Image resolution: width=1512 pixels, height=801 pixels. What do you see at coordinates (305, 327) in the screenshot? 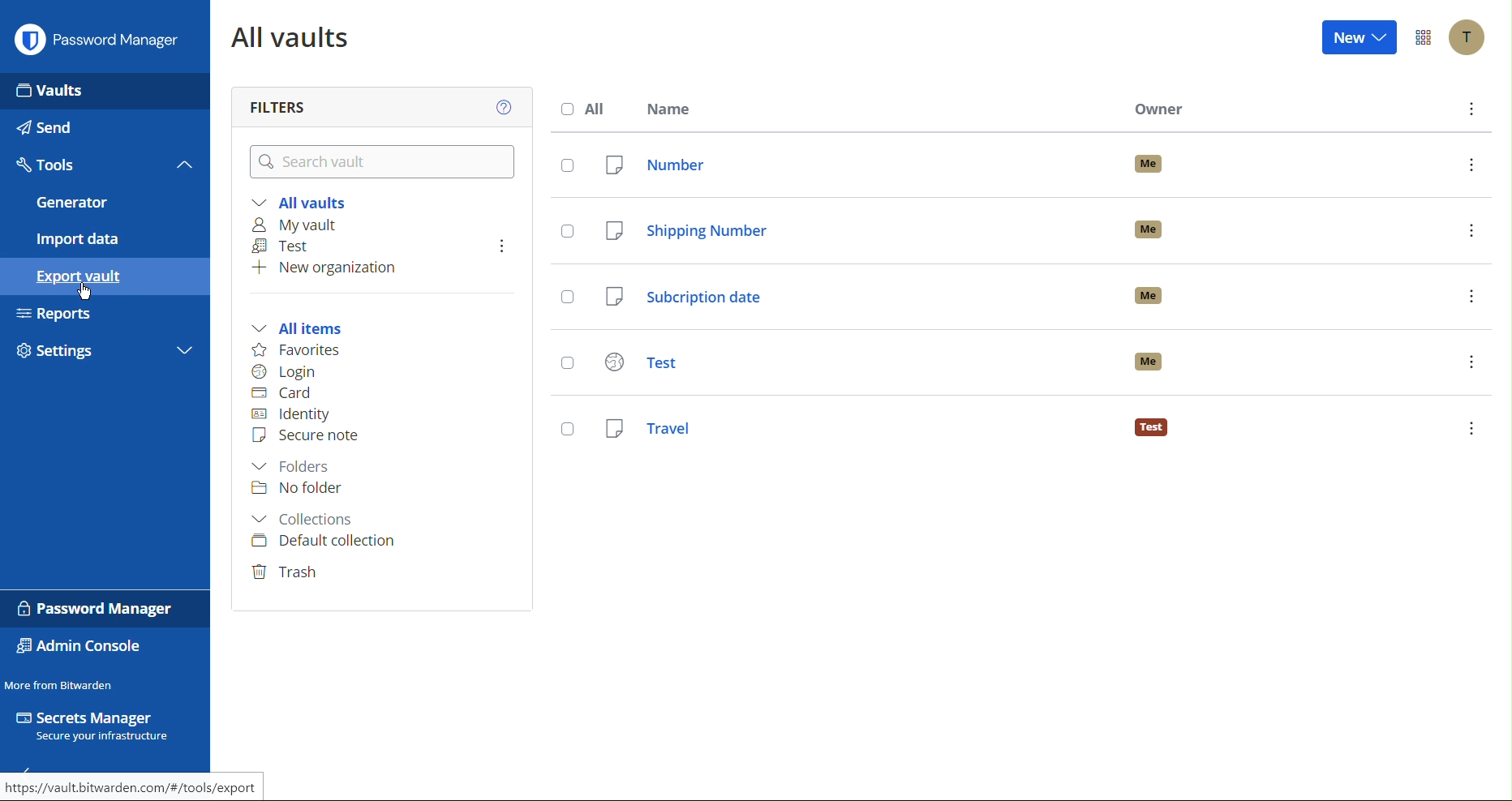
I see `All items` at bounding box center [305, 327].